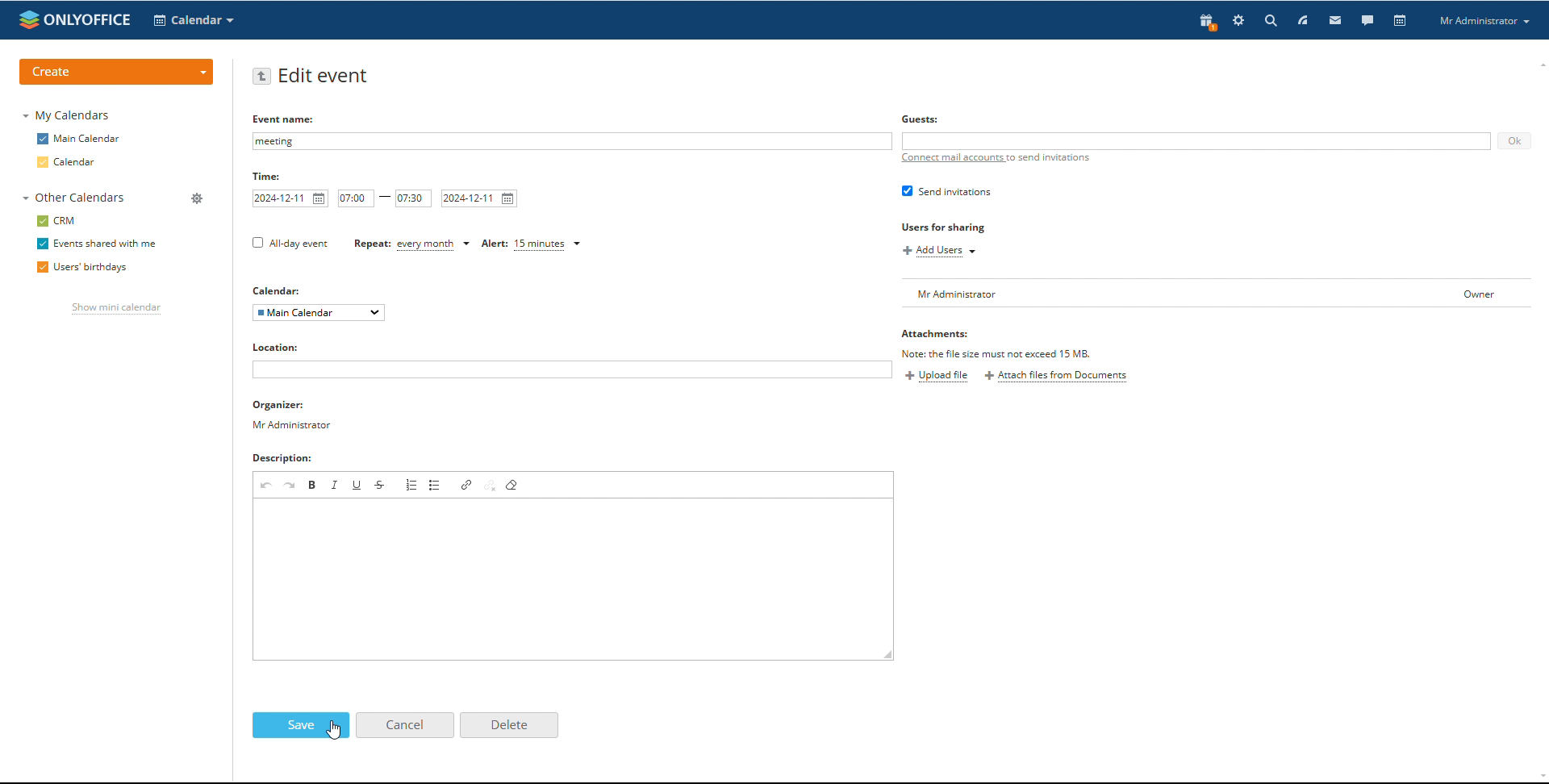 The image size is (1549, 784). I want to click on settings, so click(1238, 20).